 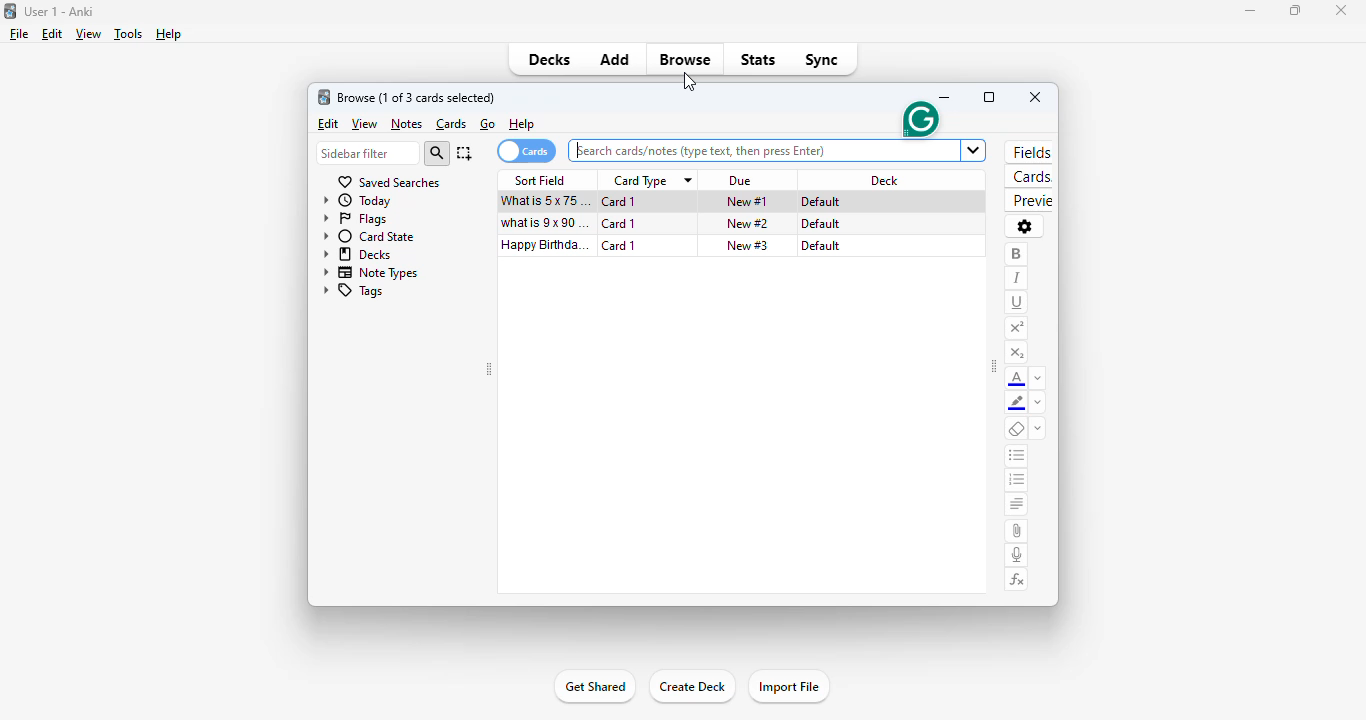 I want to click on card 1, so click(x=618, y=223).